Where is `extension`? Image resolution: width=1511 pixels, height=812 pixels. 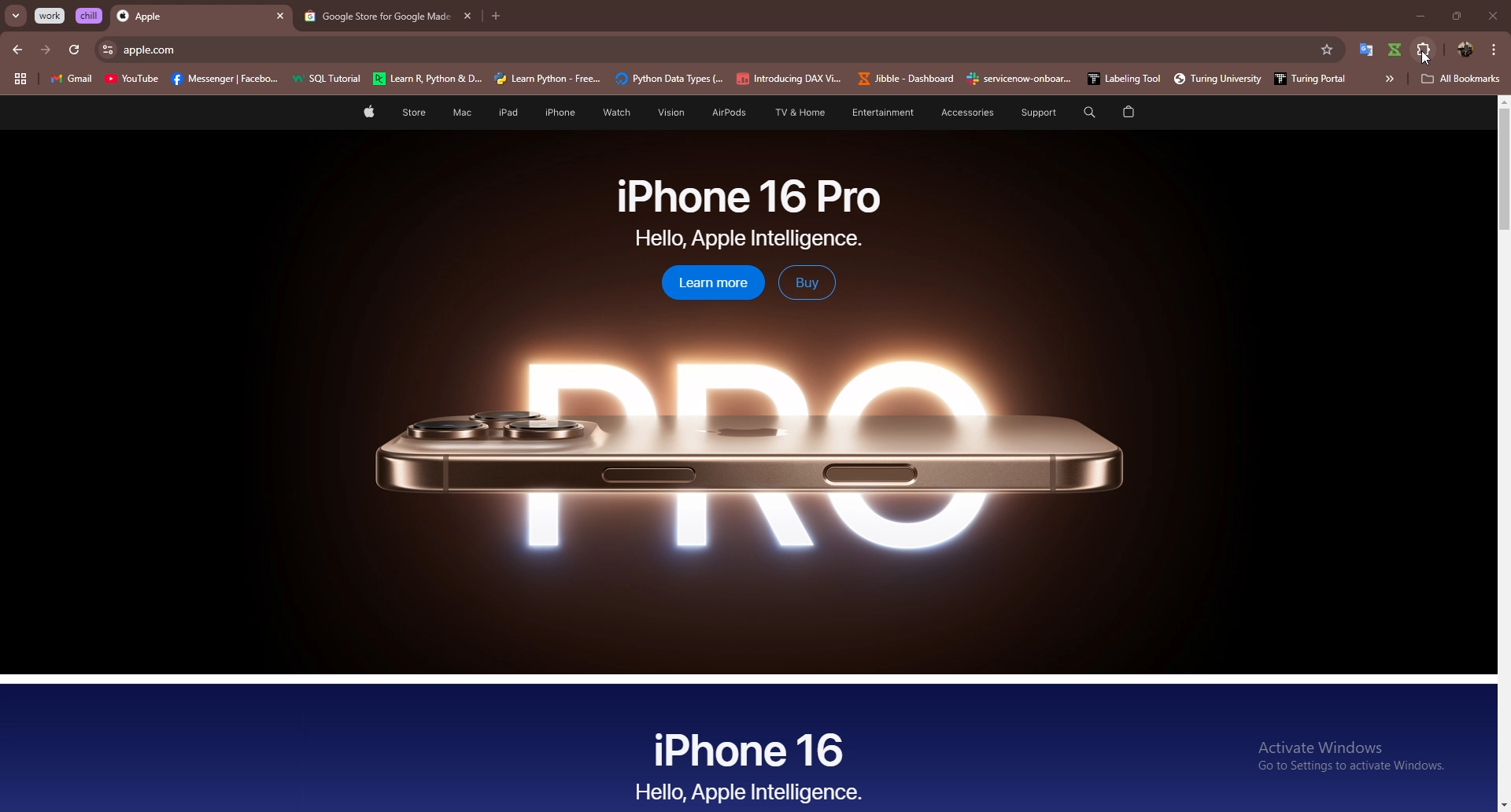
extension is located at coordinates (1425, 49).